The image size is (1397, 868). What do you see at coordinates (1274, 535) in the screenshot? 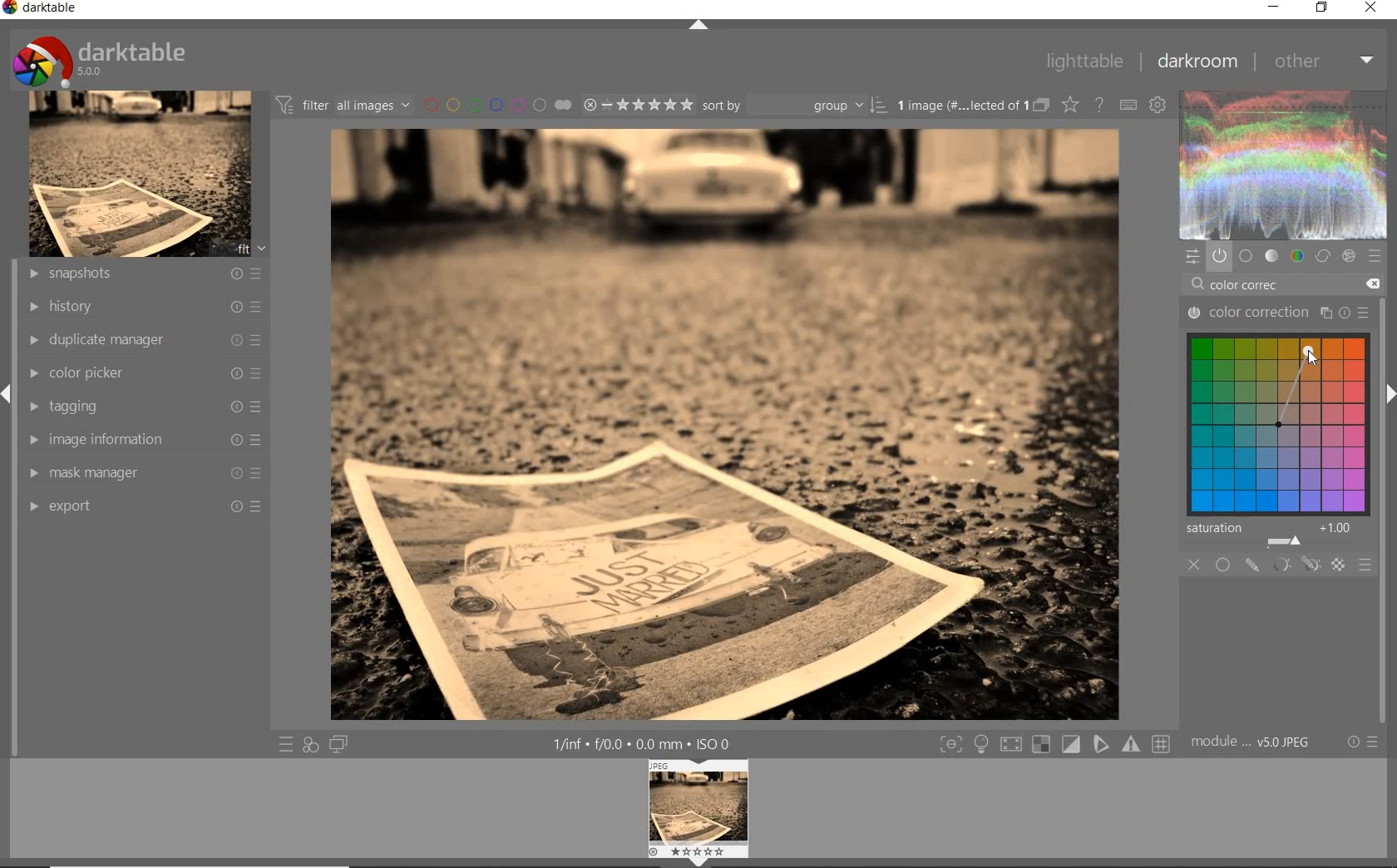
I see `saturation` at bounding box center [1274, 535].